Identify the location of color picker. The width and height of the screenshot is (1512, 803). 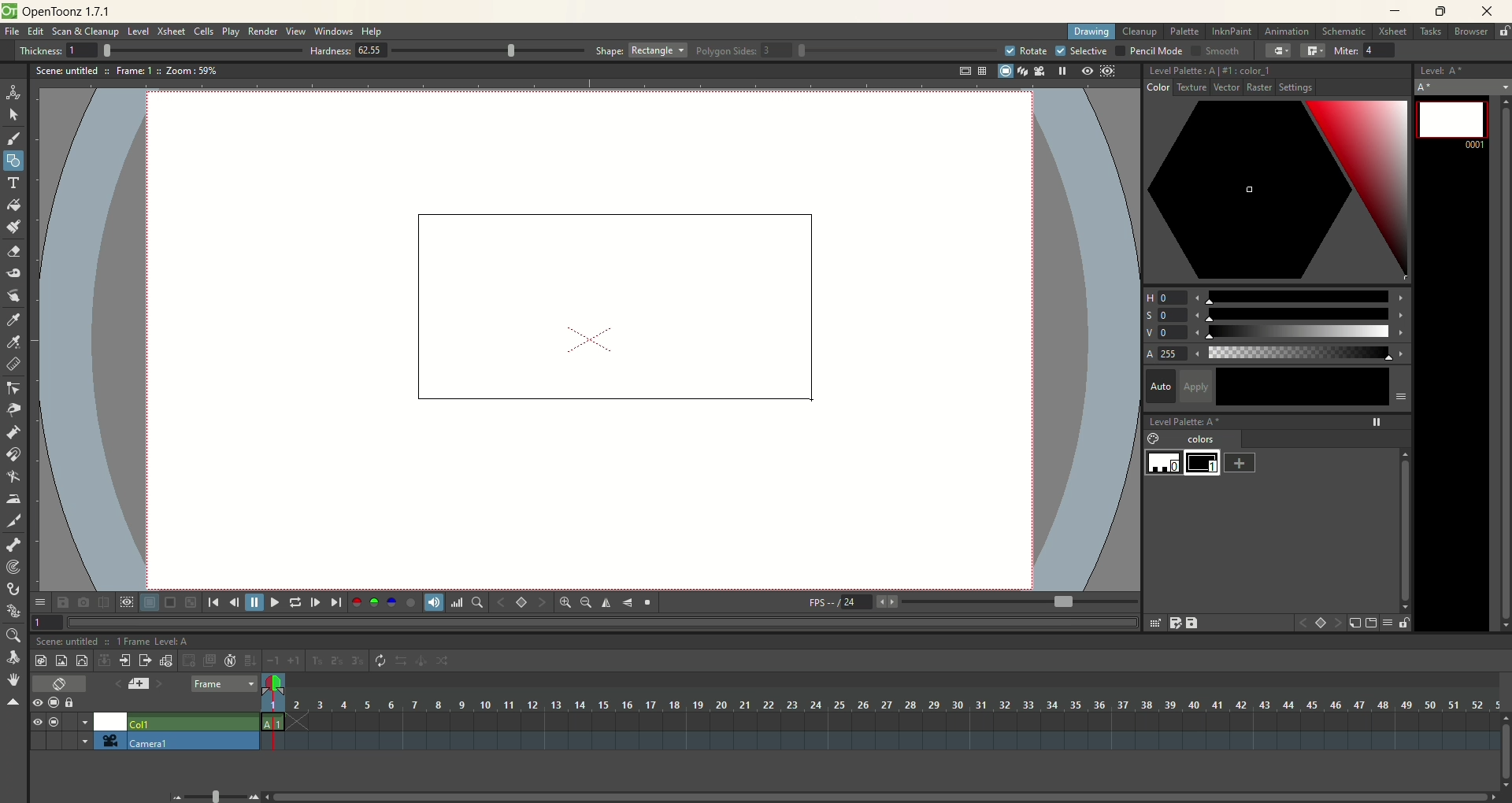
(1277, 192).